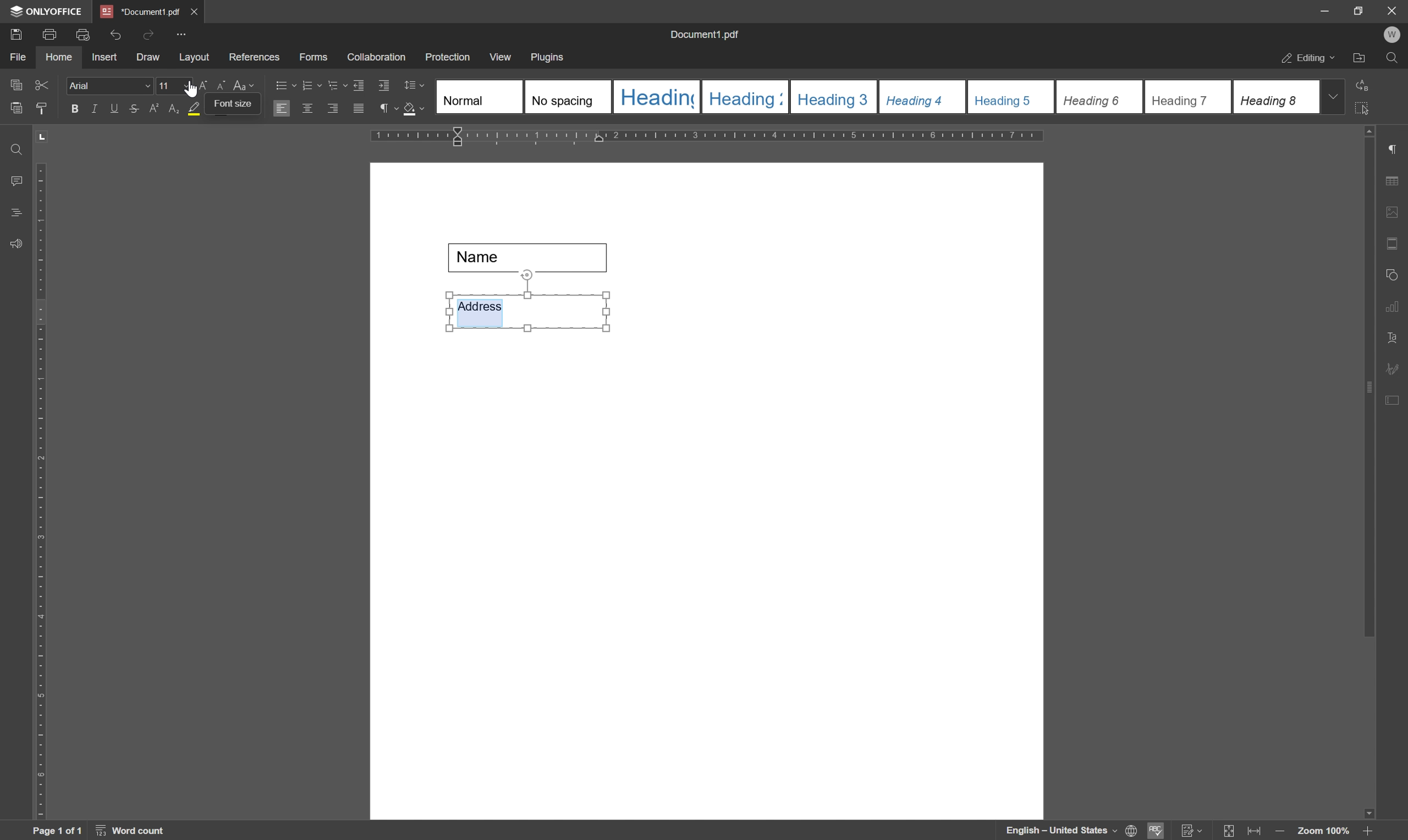  Describe the element at coordinates (1228, 831) in the screenshot. I see `fit to slide` at that location.